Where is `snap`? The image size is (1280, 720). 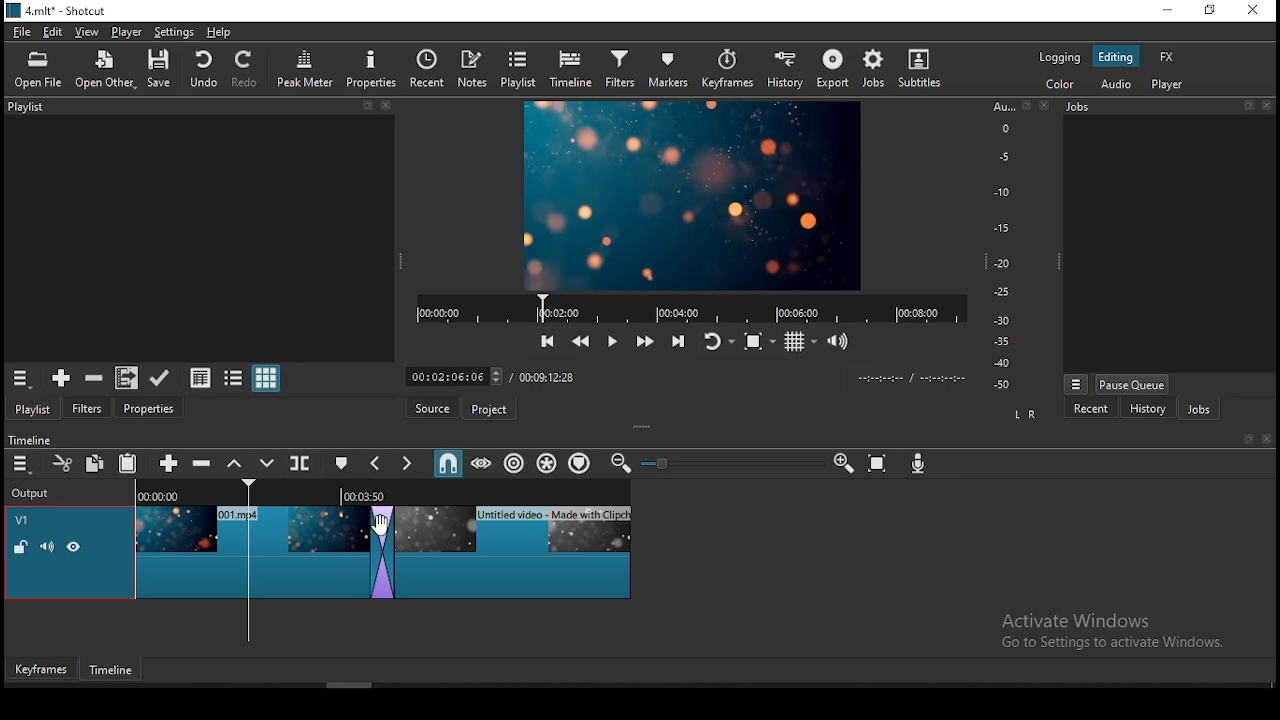 snap is located at coordinates (447, 464).